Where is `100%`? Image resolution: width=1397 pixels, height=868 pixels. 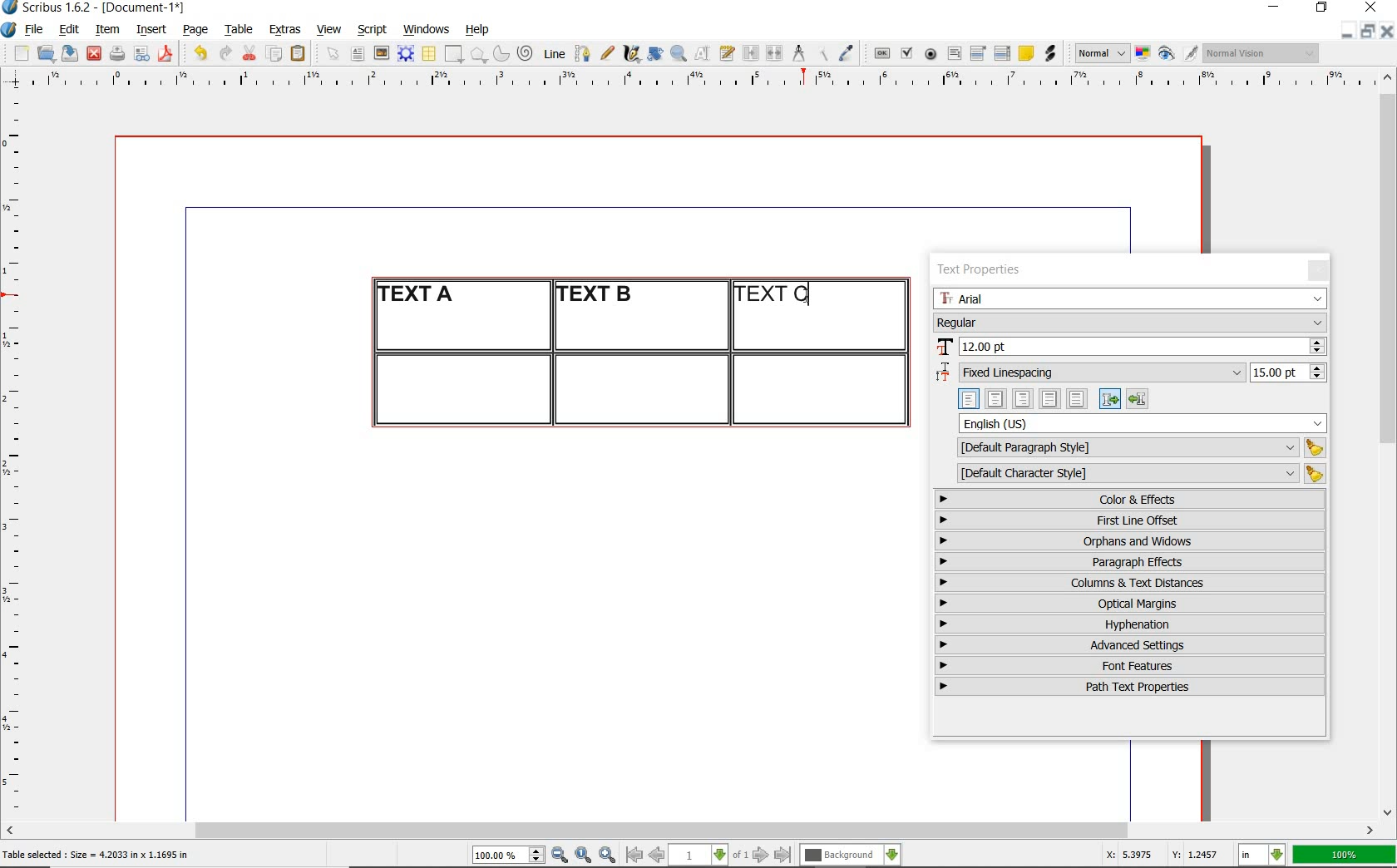 100% is located at coordinates (1345, 855).